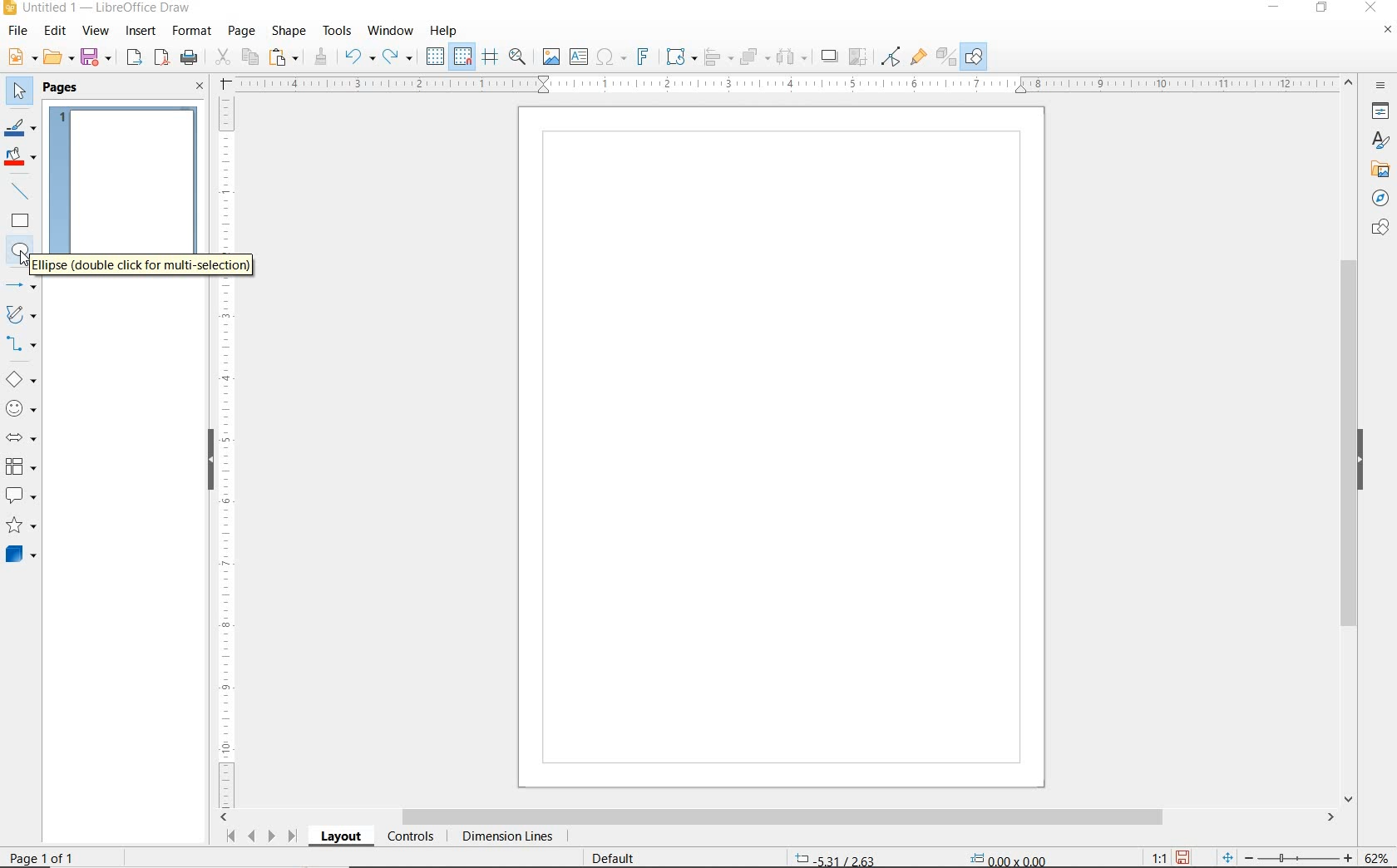 This screenshot has height=868, width=1397. What do you see at coordinates (398, 57) in the screenshot?
I see `REDO` at bounding box center [398, 57].